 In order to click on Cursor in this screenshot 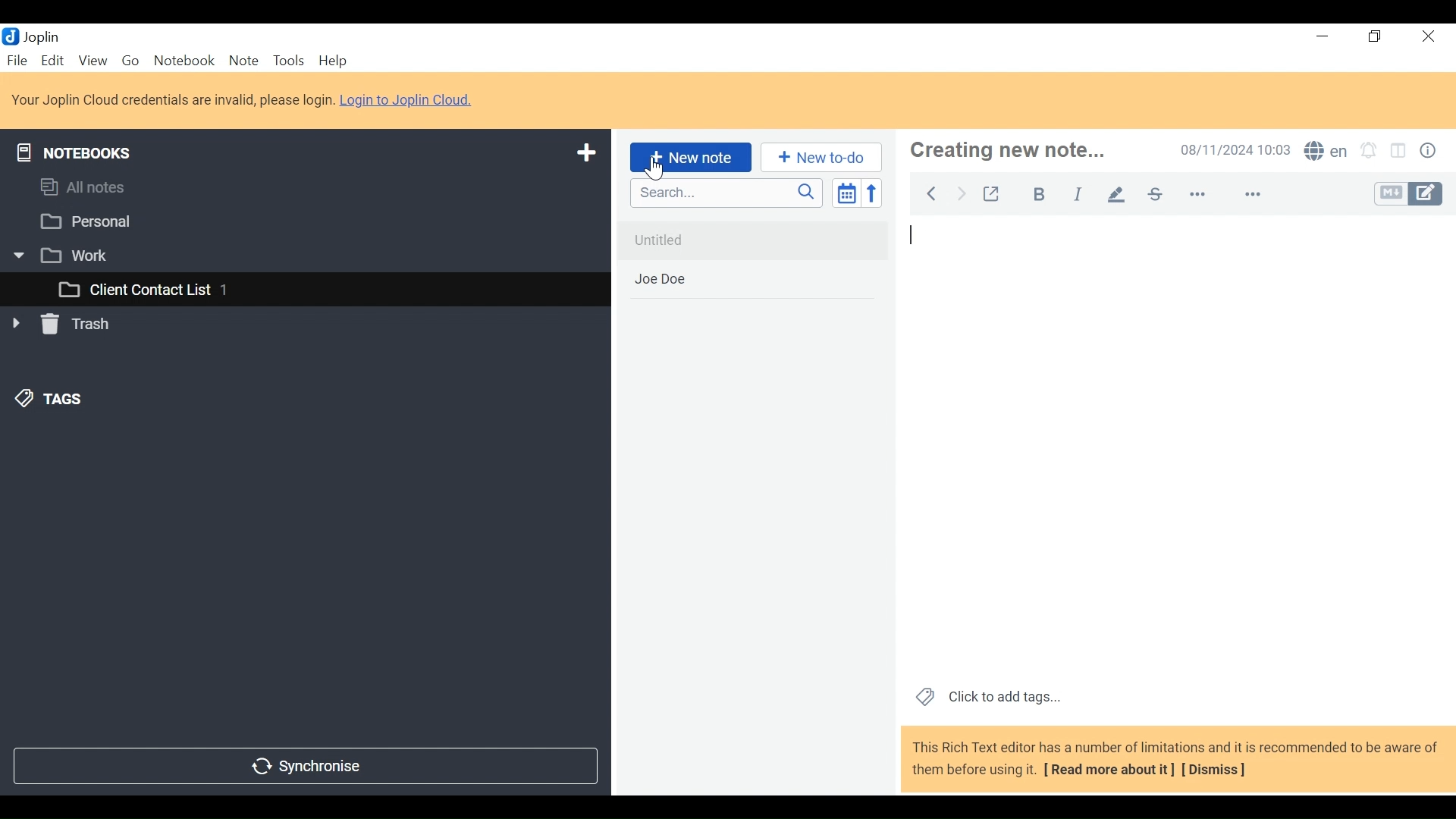, I will do `click(658, 170)`.